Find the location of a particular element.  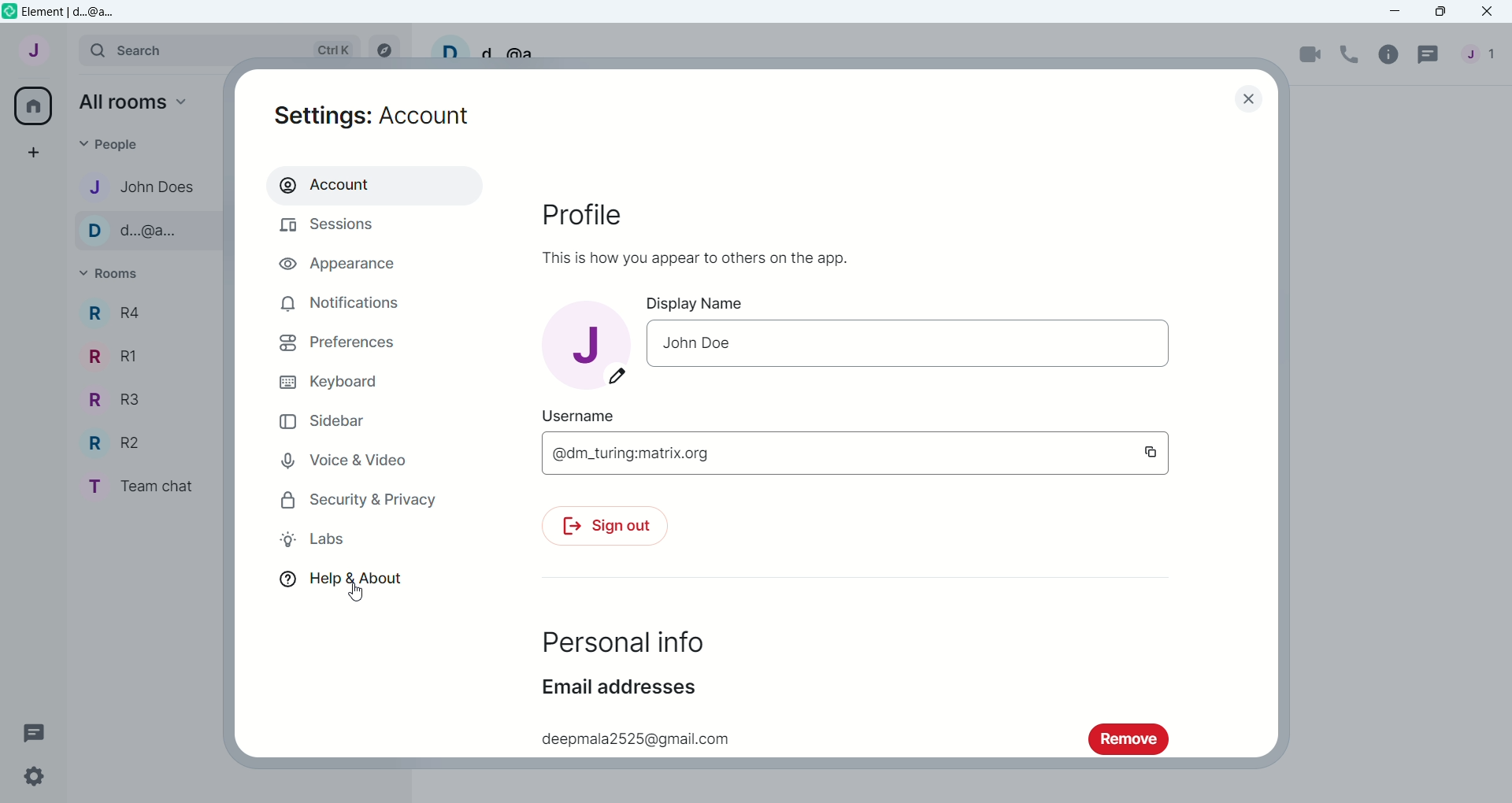

Voice call is located at coordinates (1352, 52).